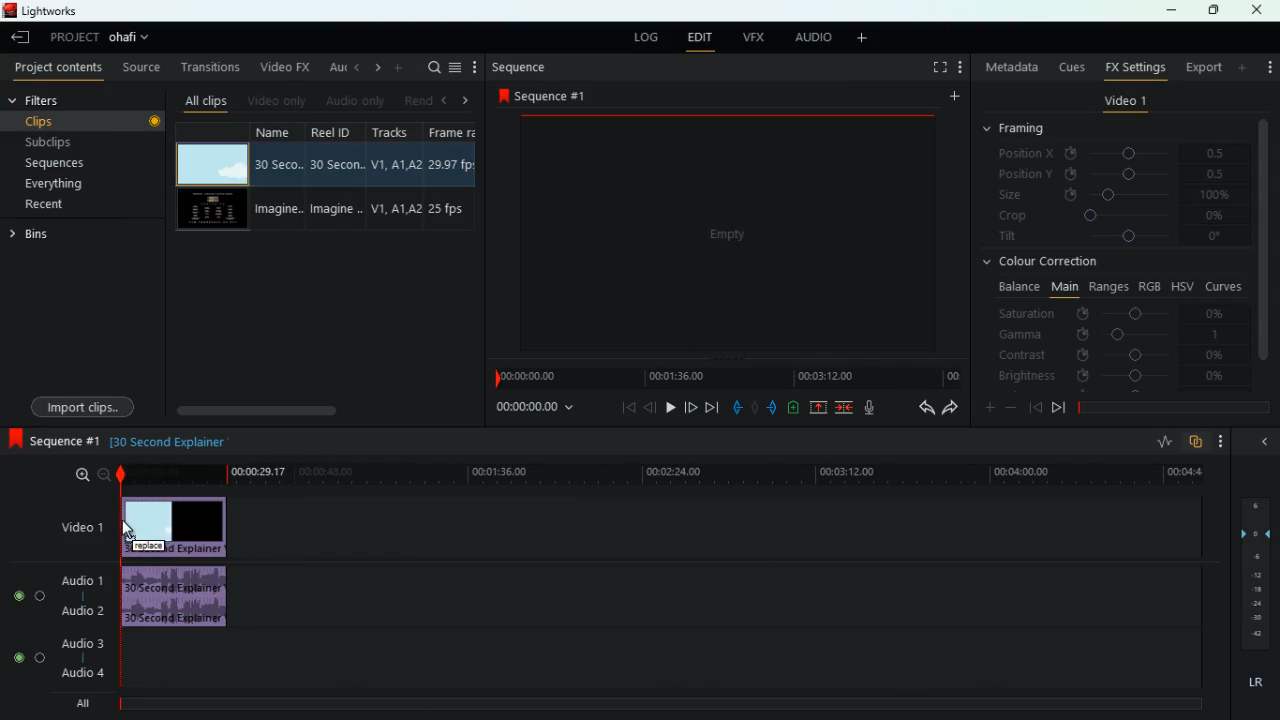  Describe the element at coordinates (71, 184) in the screenshot. I see `everything` at that location.